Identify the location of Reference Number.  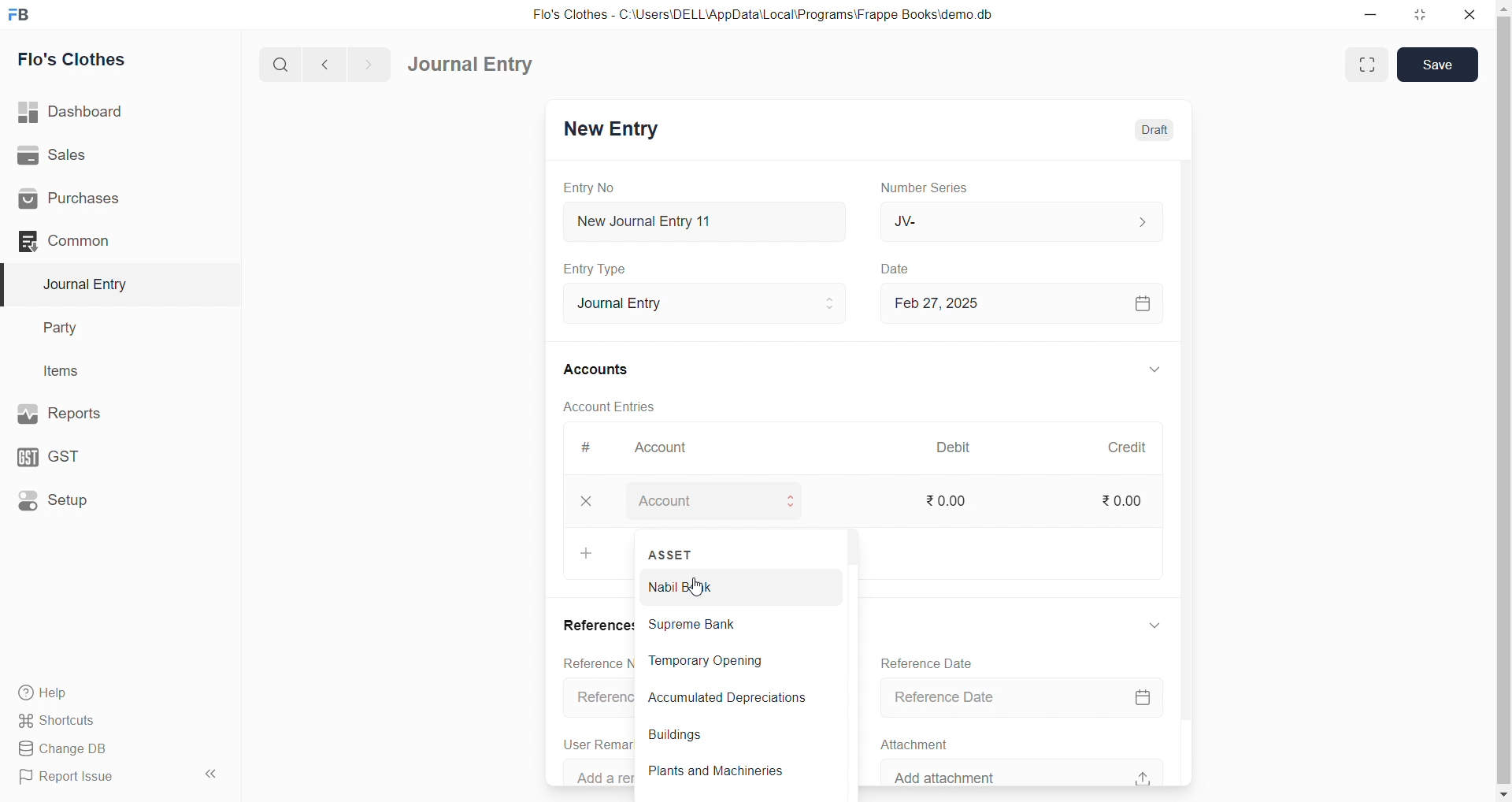
(602, 694).